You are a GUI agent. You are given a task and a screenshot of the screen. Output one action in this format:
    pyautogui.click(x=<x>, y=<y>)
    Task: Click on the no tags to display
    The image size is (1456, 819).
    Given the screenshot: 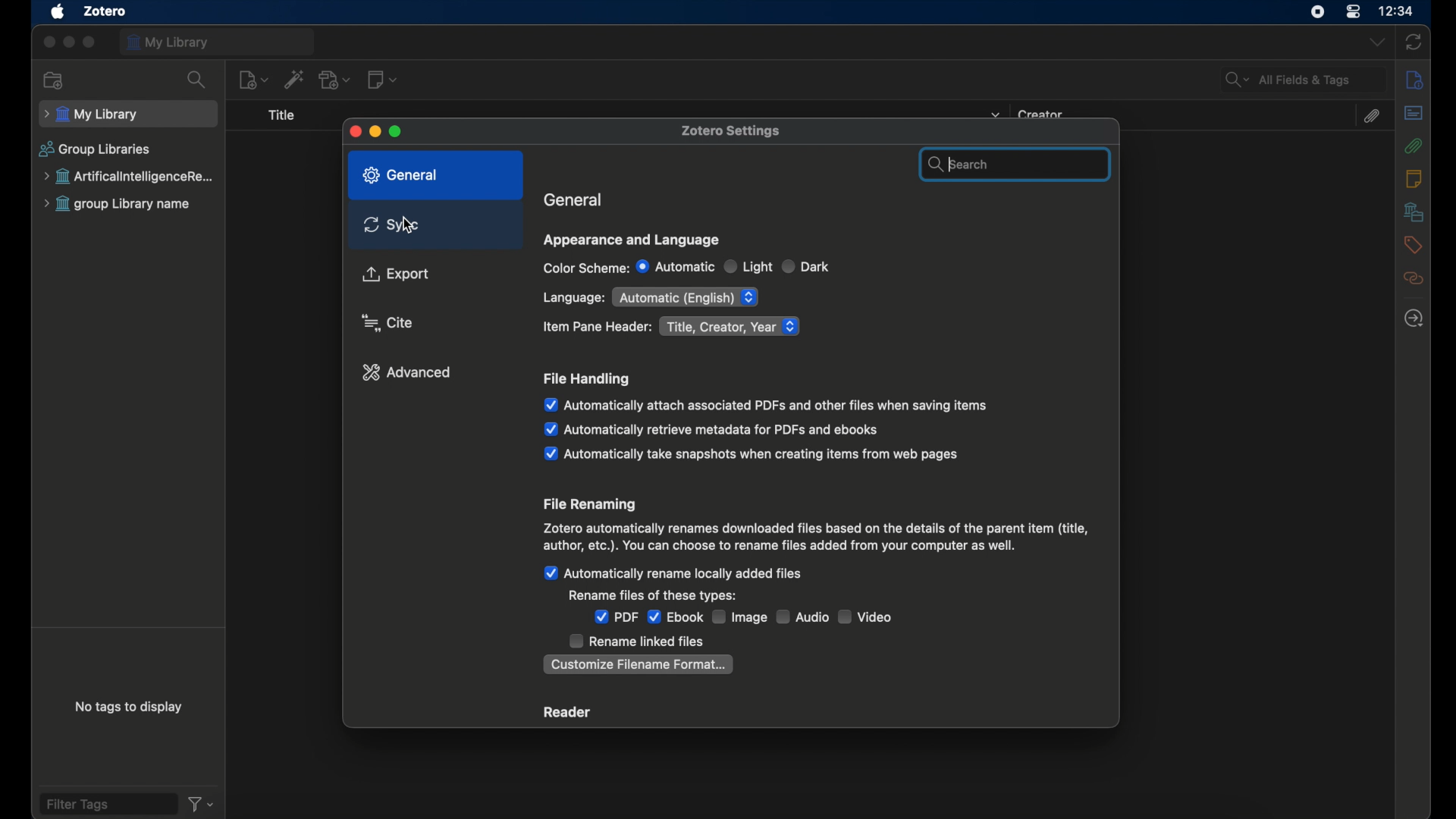 What is the action you would take?
    pyautogui.click(x=127, y=707)
    